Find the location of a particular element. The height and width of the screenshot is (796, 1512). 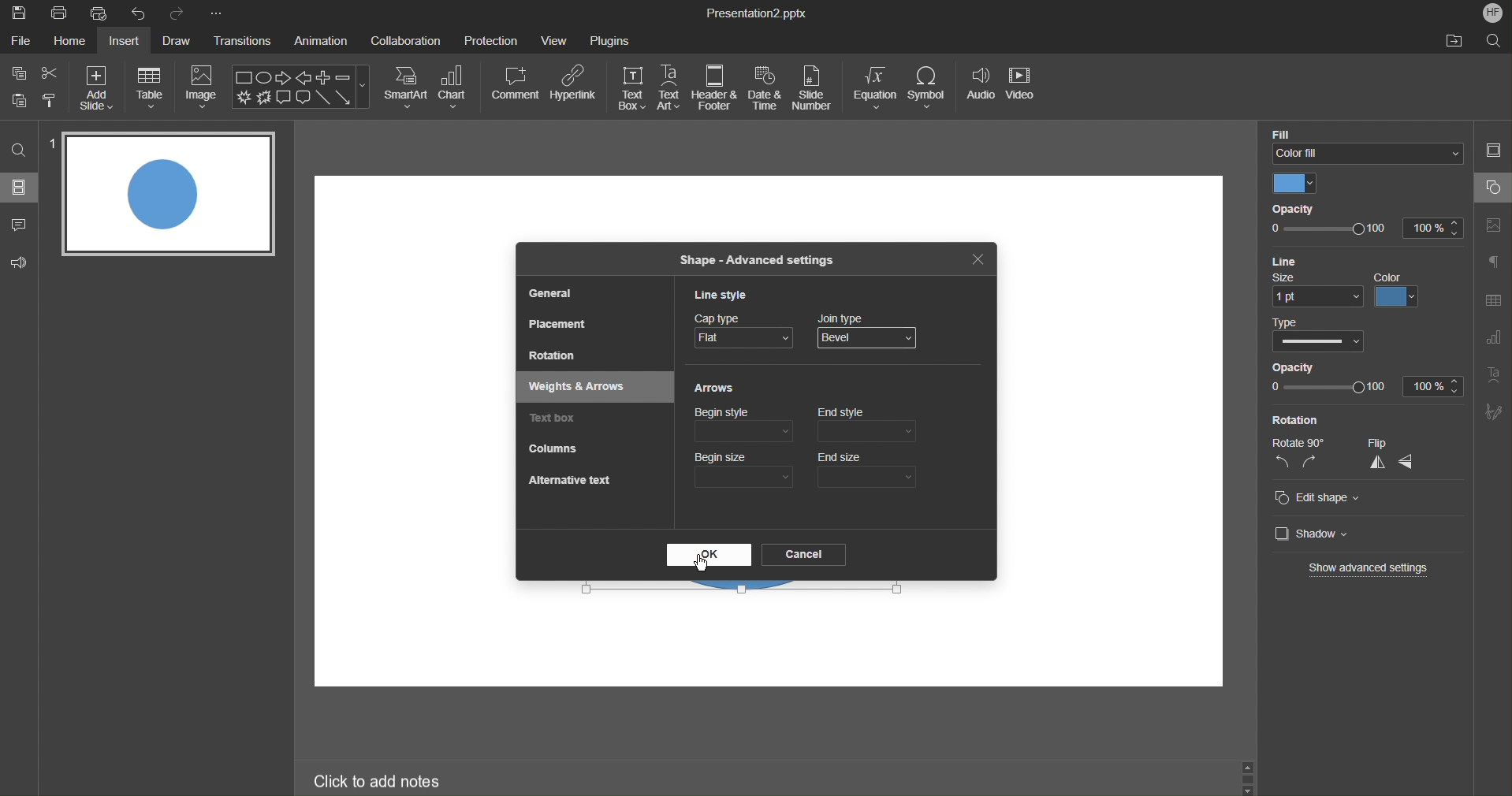

Opacity is located at coordinates (1309, 209).